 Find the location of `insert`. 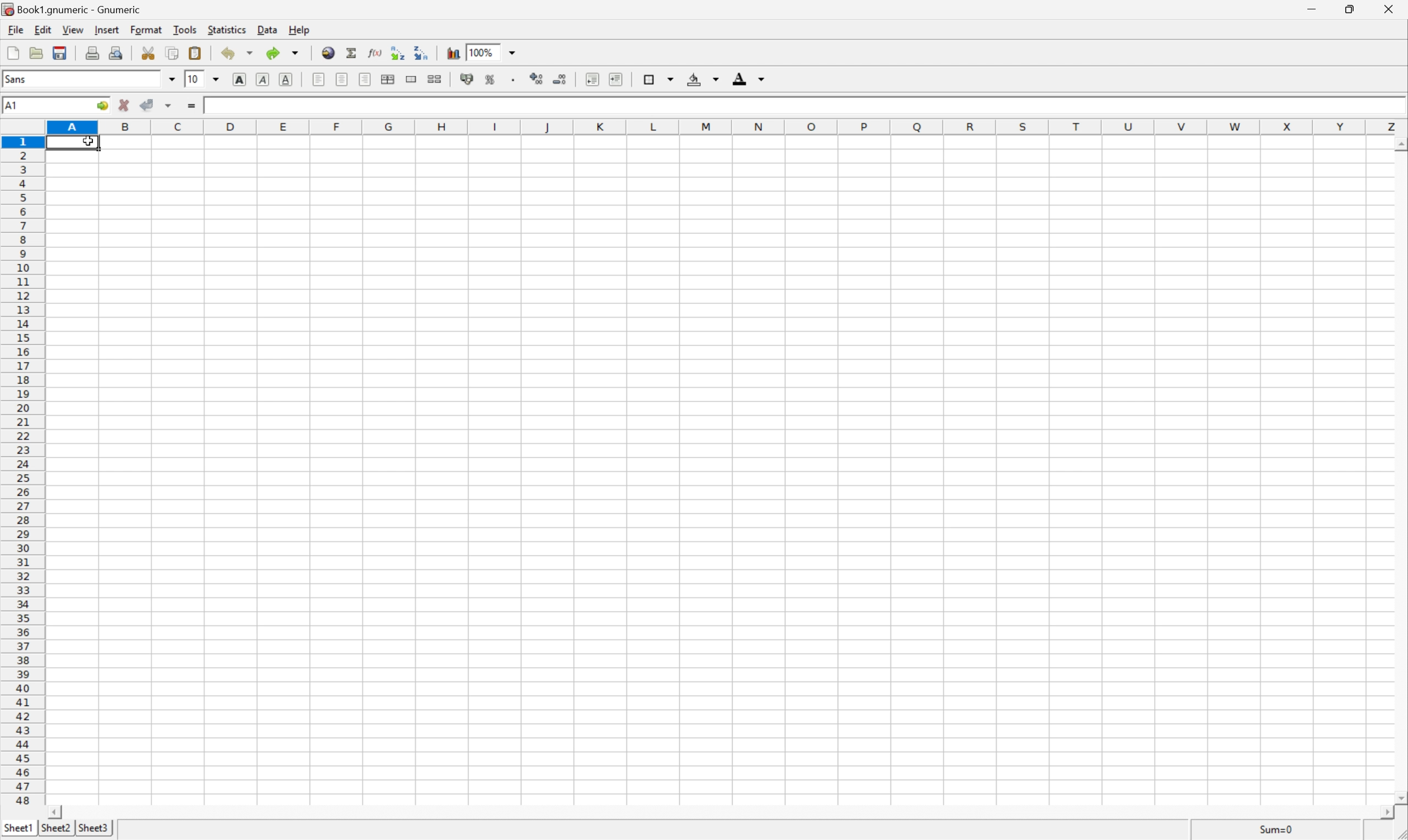

insert is located at coordinates (106, 30).